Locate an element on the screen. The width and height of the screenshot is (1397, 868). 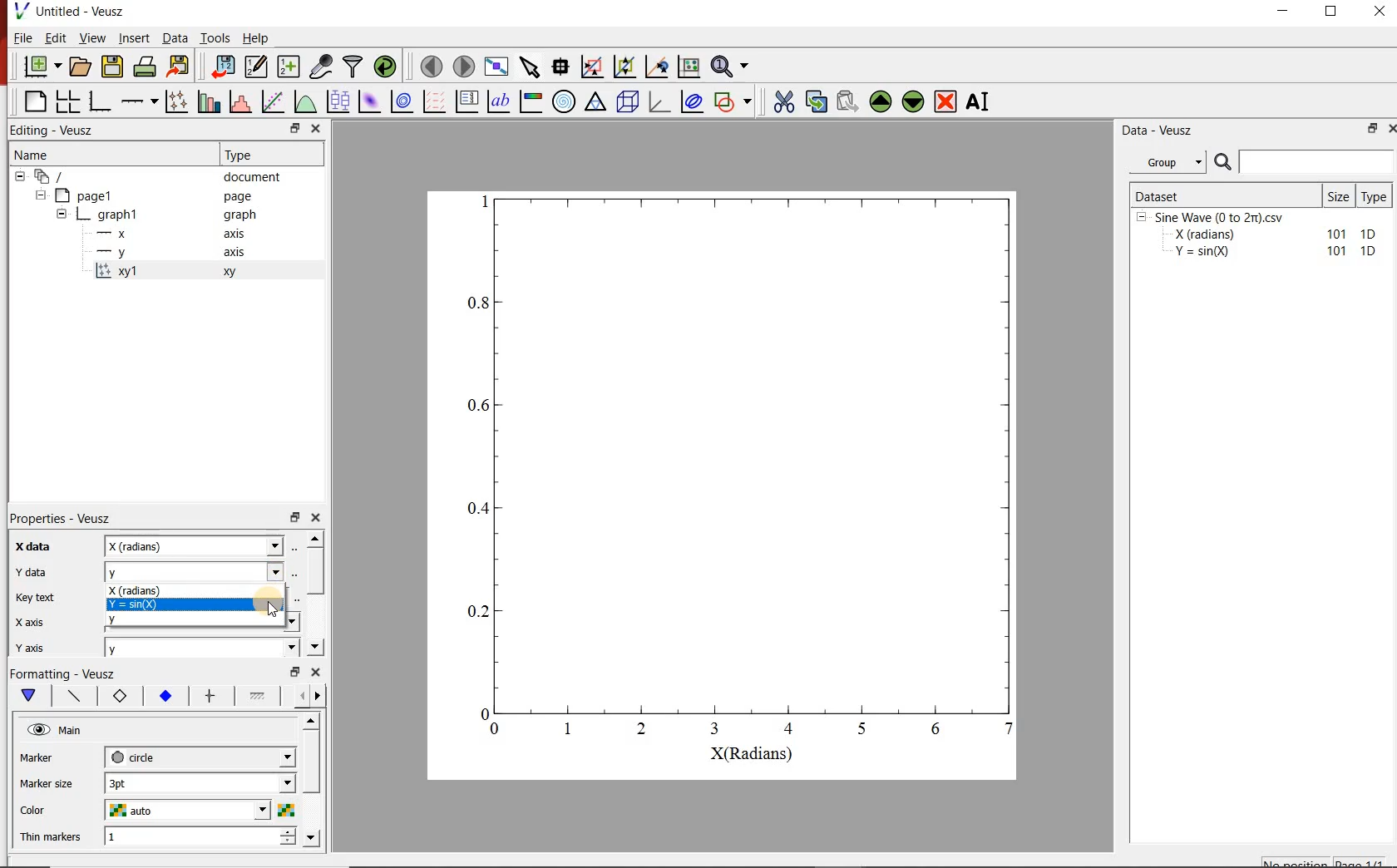
move down is located at coordinates (914, 103).